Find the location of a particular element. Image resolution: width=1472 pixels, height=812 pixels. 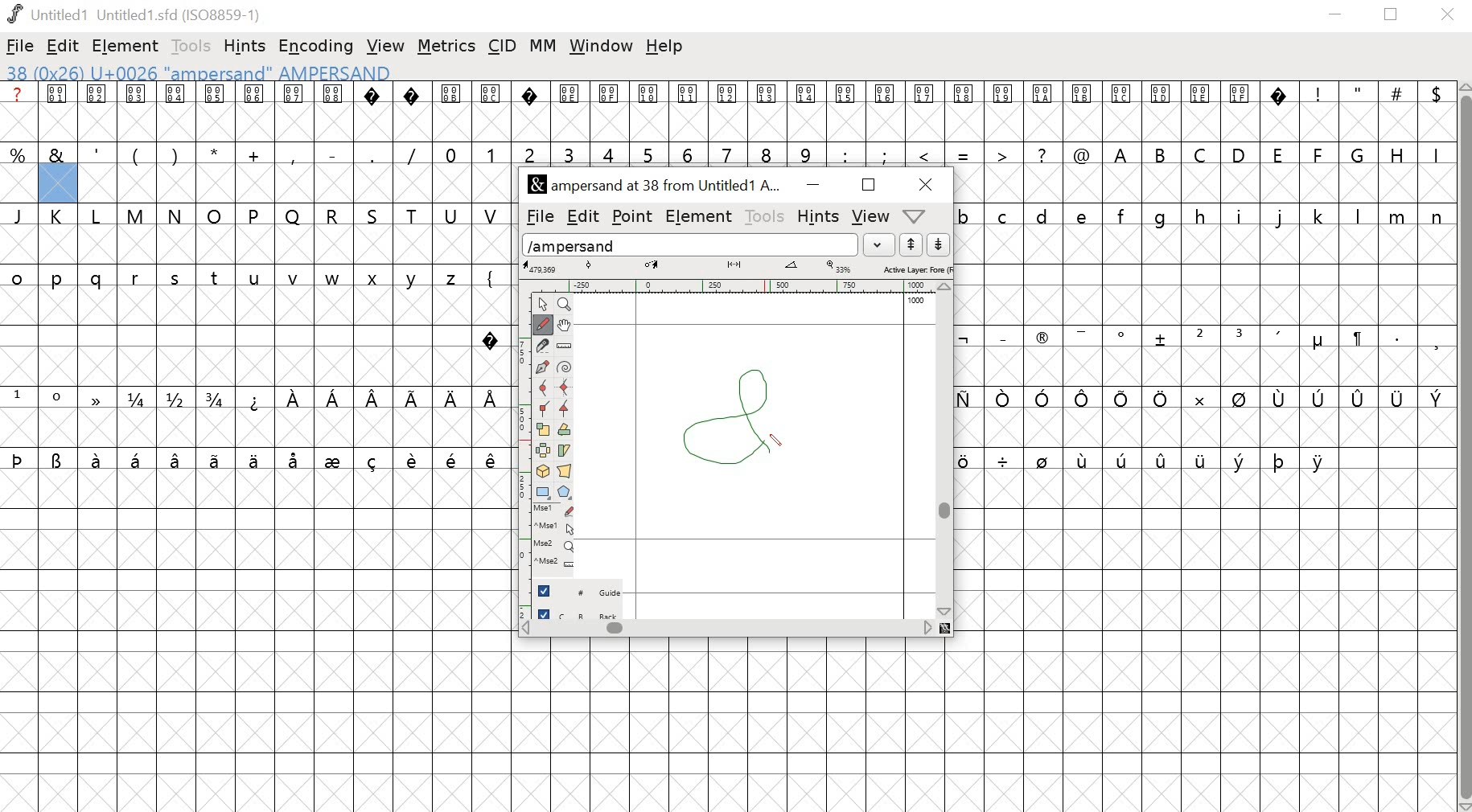

horizontal scrollbar is located at coordinates (735, 629).